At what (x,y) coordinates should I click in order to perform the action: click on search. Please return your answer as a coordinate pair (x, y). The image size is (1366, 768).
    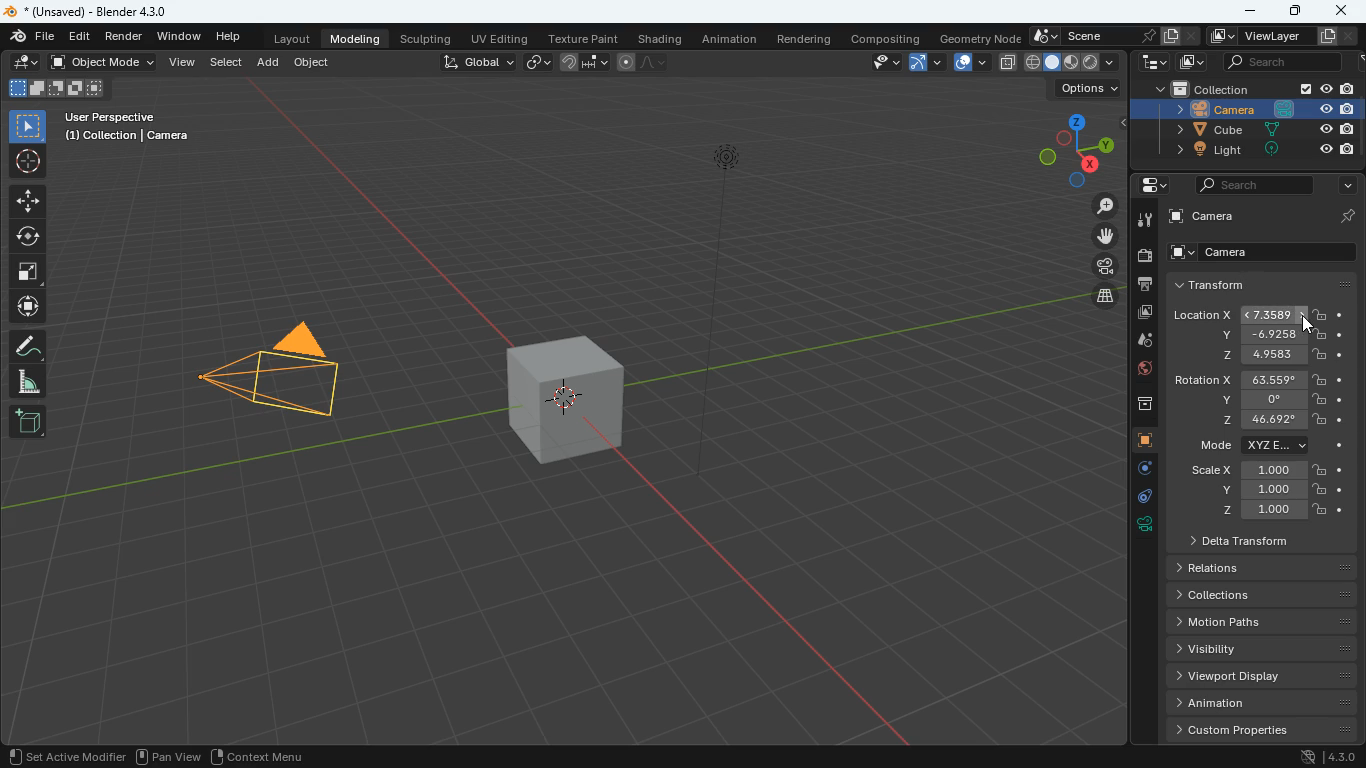
    Looking at the image, I should click on (1275, 61).